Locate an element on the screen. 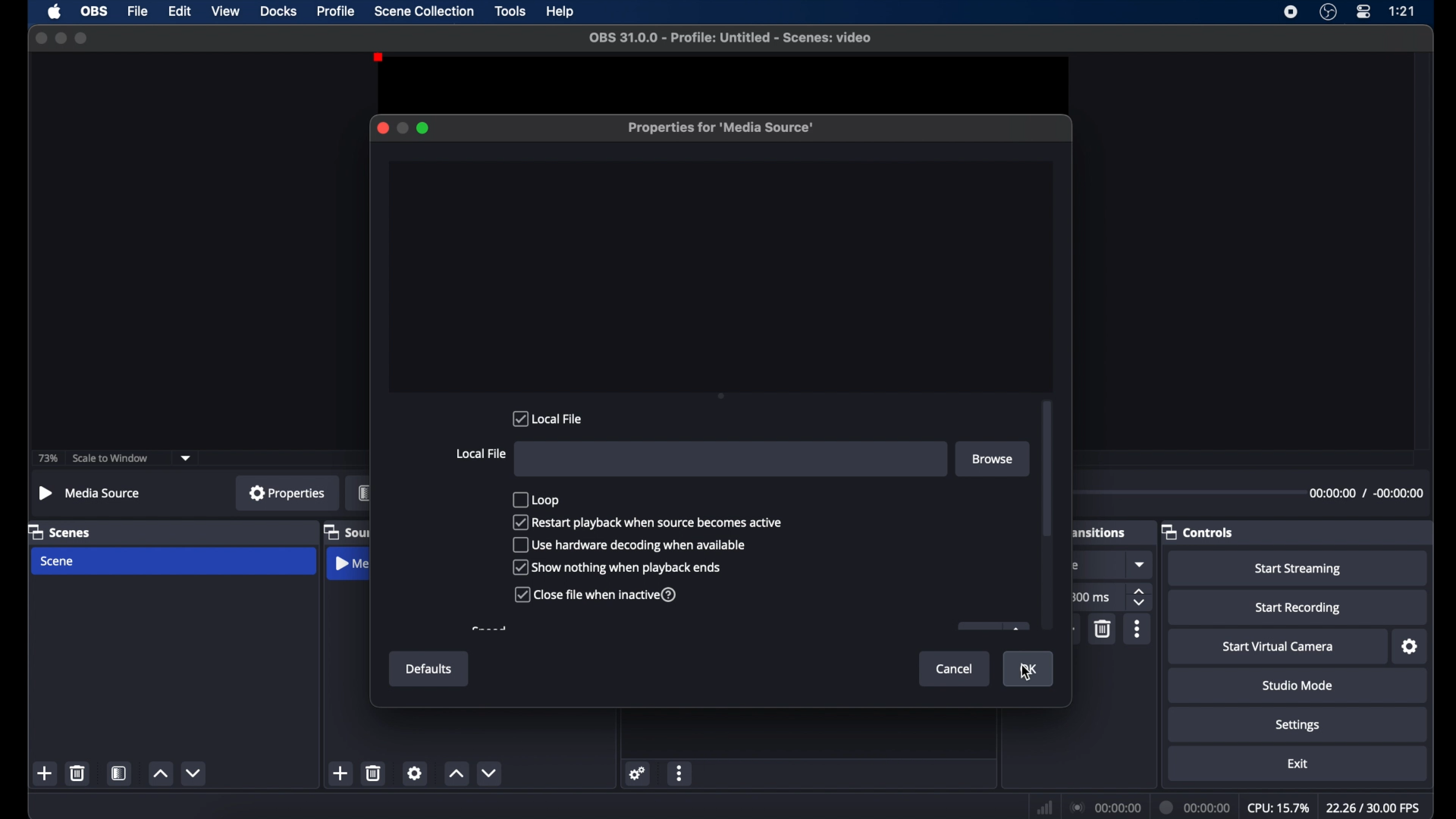  obs is located at coordinates (95, 11).